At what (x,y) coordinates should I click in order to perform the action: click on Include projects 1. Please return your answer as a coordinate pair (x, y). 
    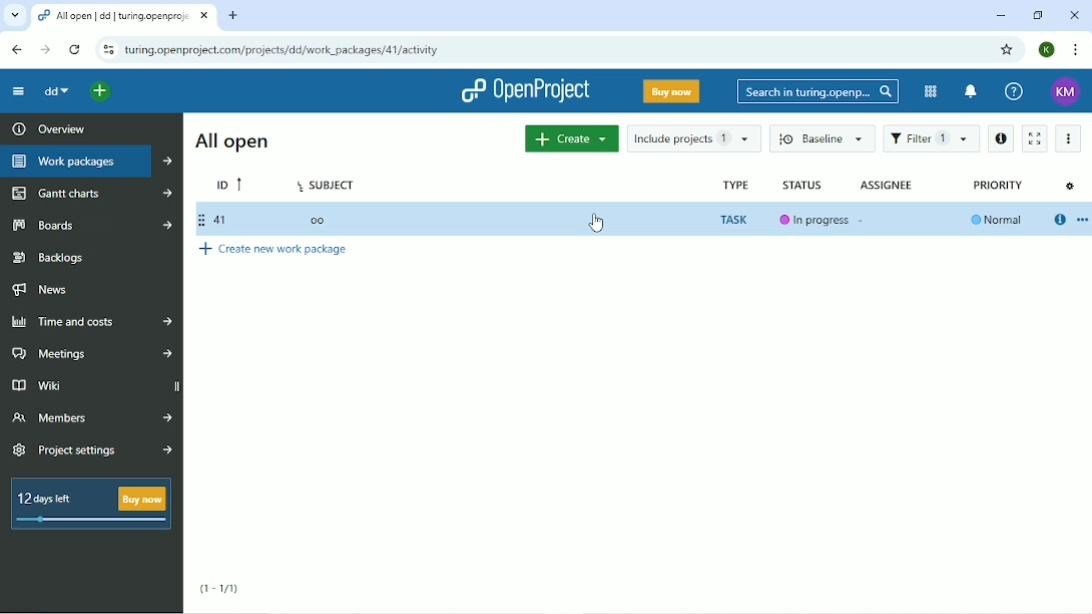
    Looking at the image, I should click on (692, 137).